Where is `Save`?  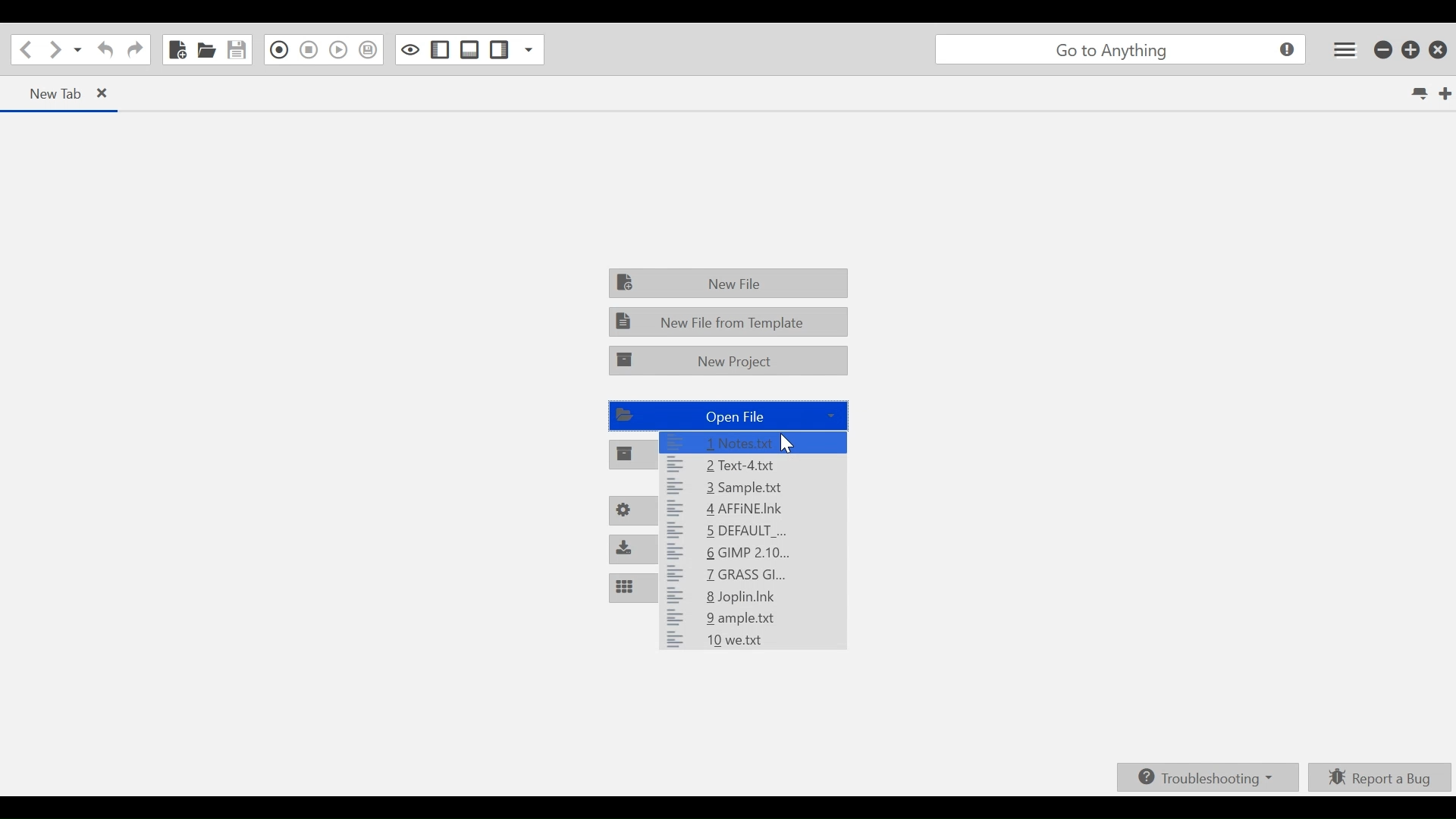 Save is located at coordinates (237, 49).